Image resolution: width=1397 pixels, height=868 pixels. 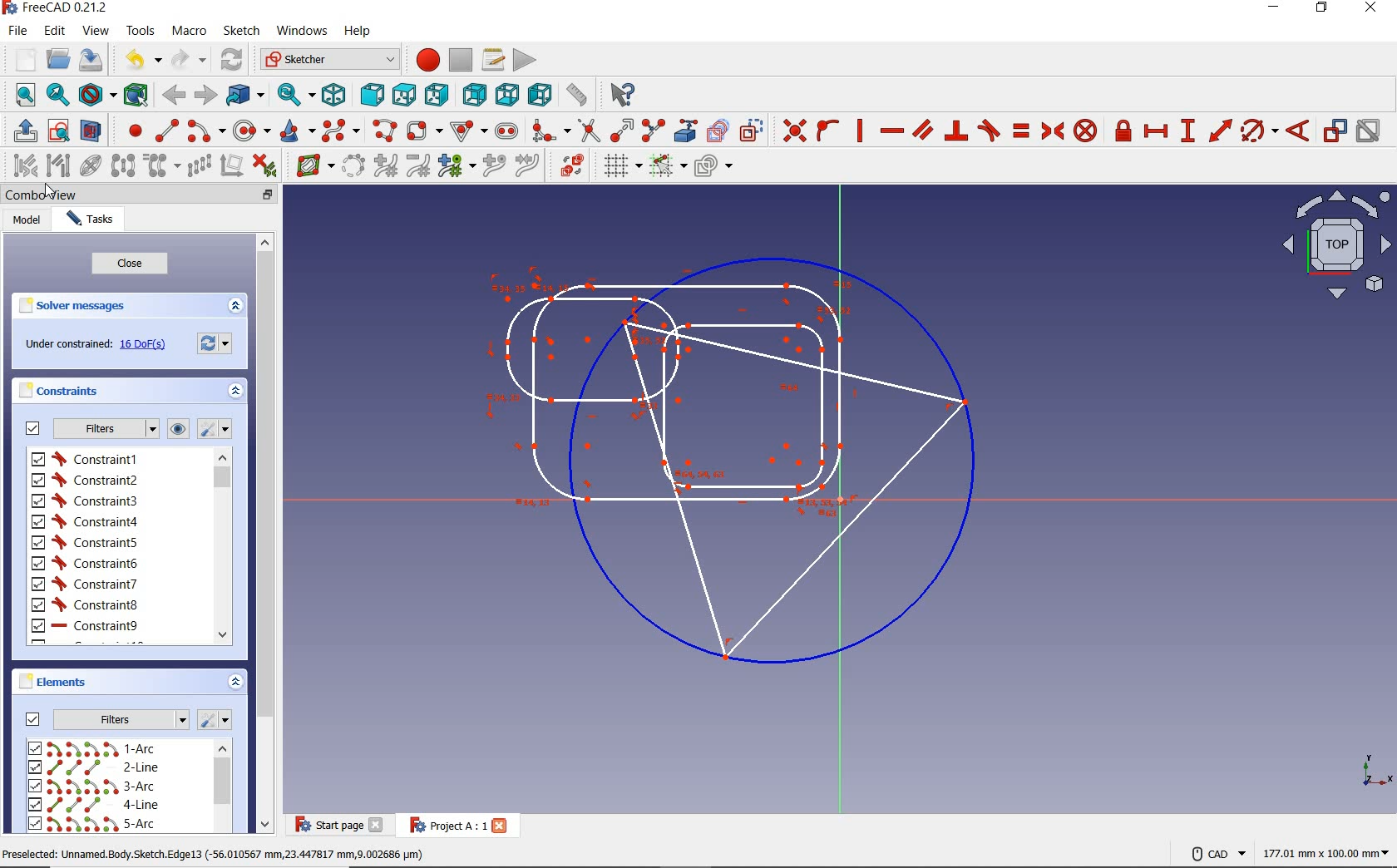 What do you see at coordinates (454, 167) in the screenshot?
I see `modify knot multiplicity` at bounding box center [454, 167].